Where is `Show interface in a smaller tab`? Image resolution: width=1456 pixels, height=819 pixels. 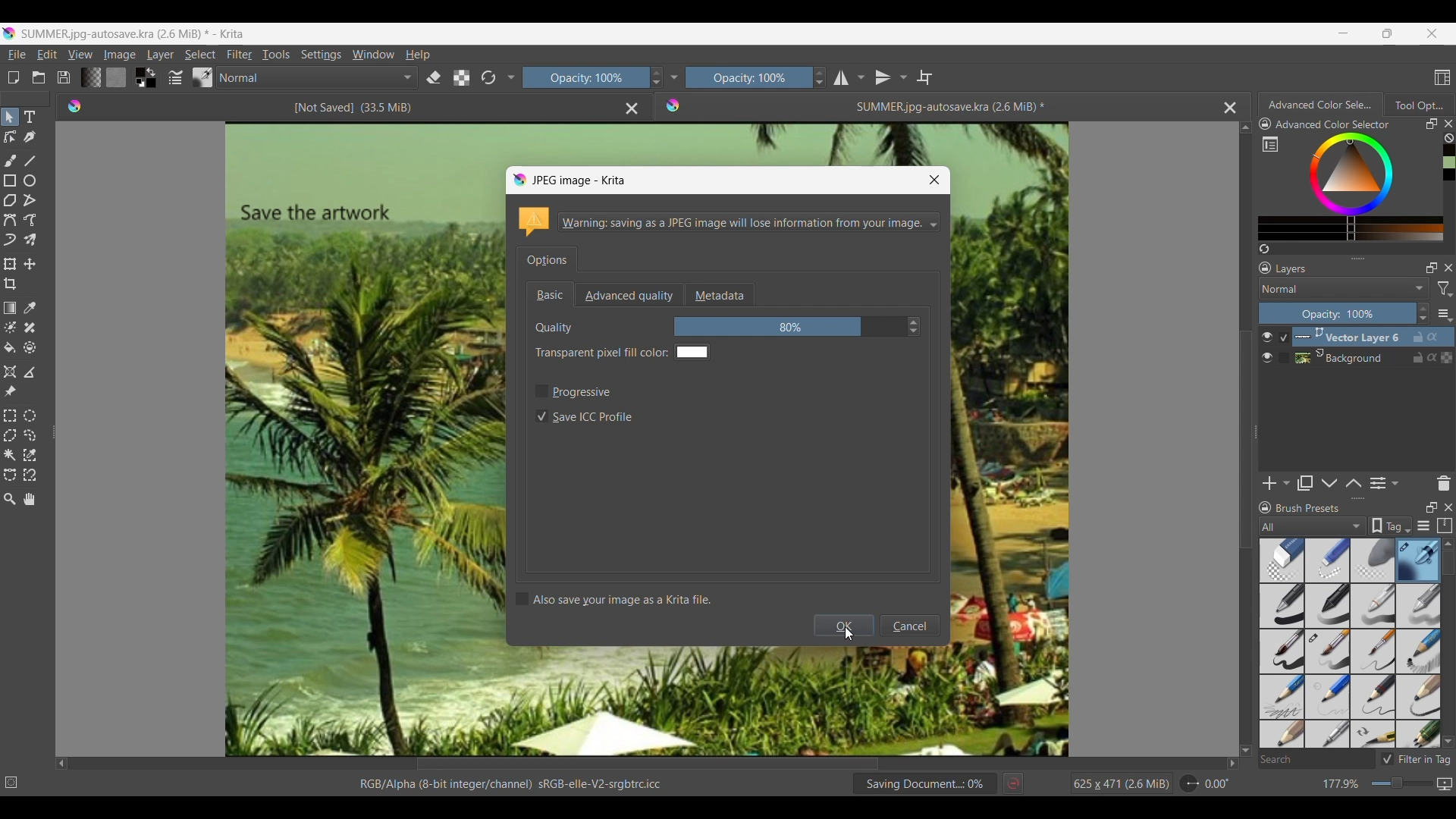
Show interface in a smaller tab is located at coordinates (1388, 33).